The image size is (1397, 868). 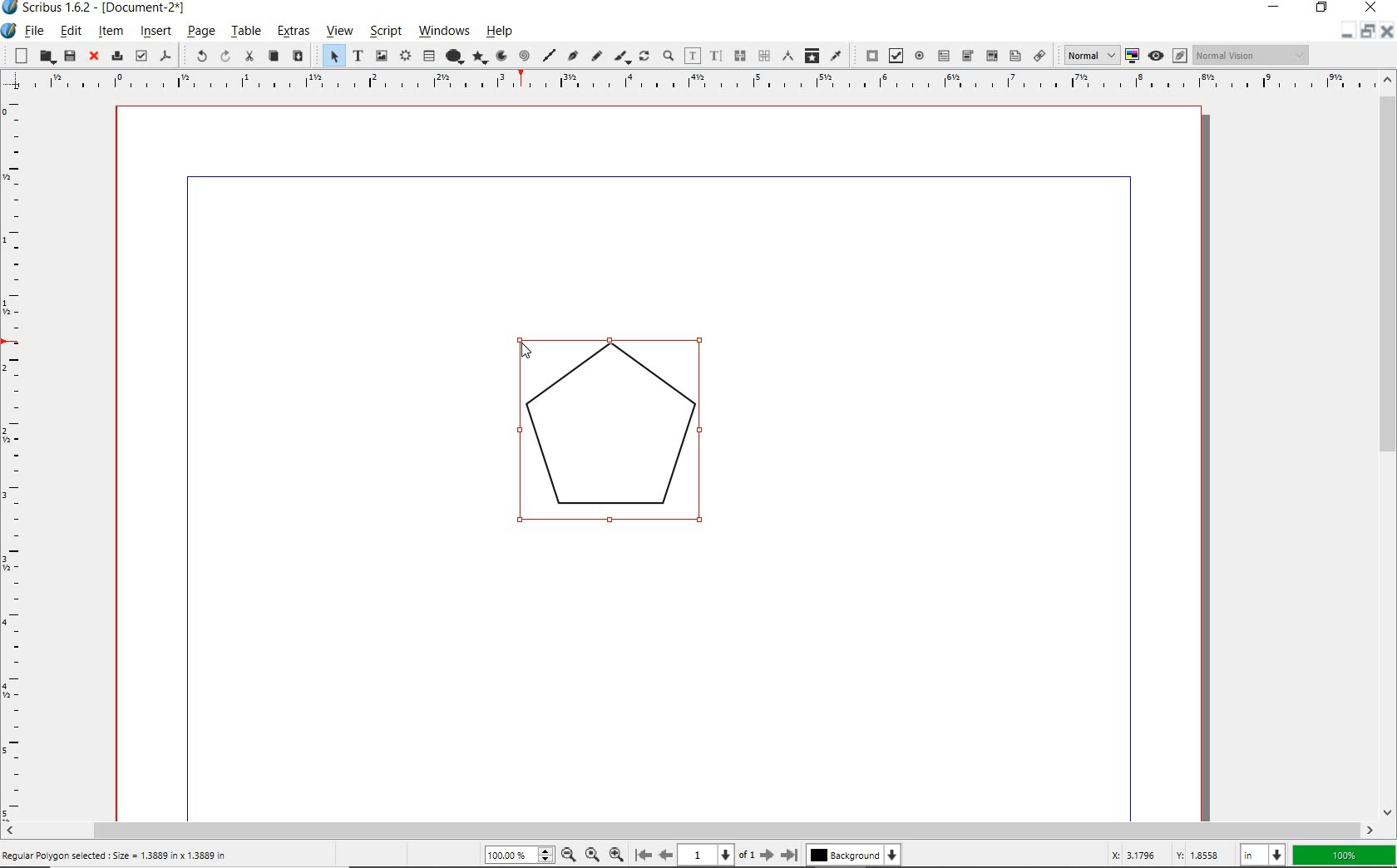 I want to click on x: 3.17%, so click(x=1130, y=855).